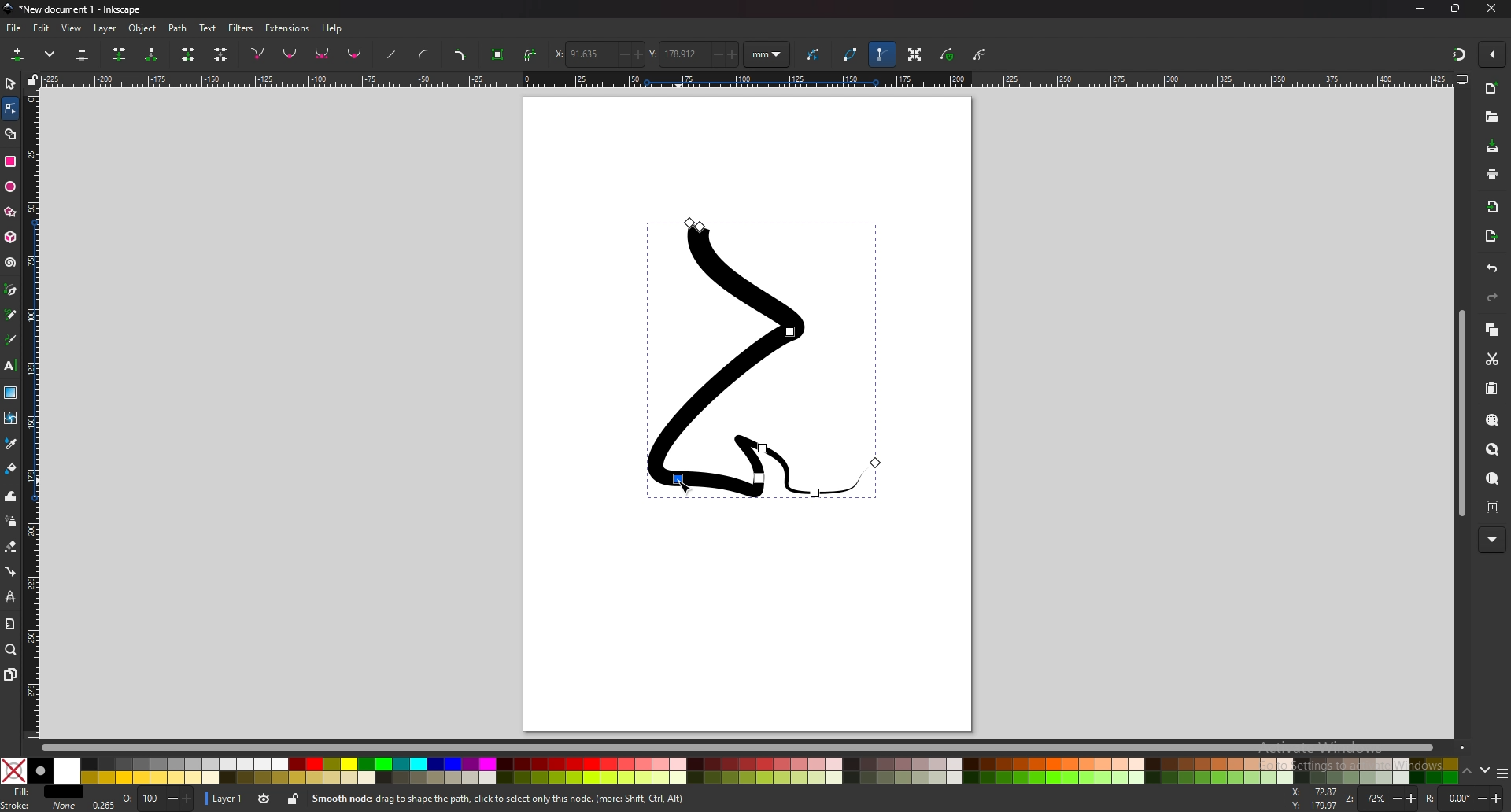 The image size is (1511, 812). I want to click on pages, so click(10, 675).